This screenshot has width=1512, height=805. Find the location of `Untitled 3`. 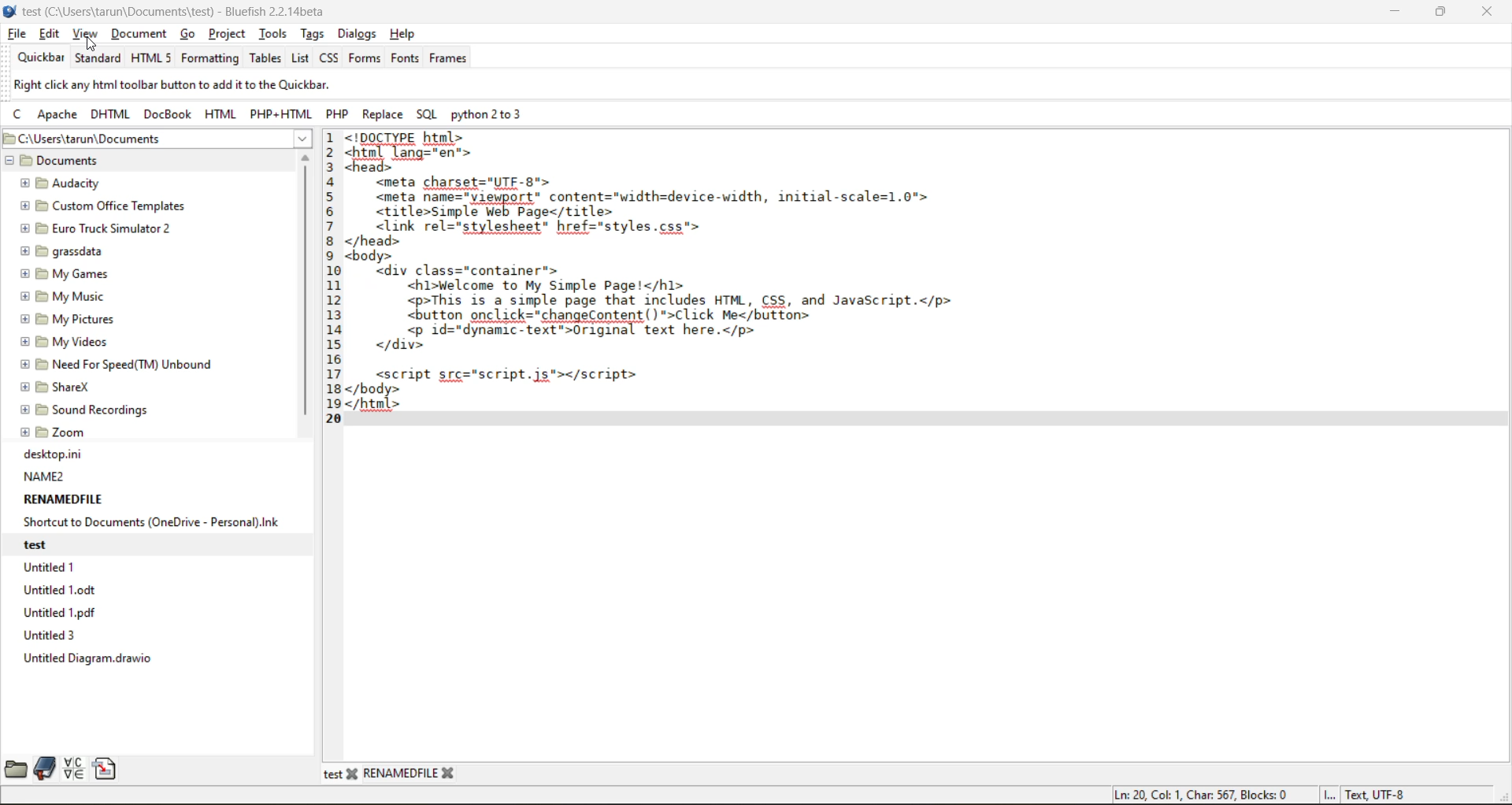

Untitled 3 is located at coordinates (53, 636).